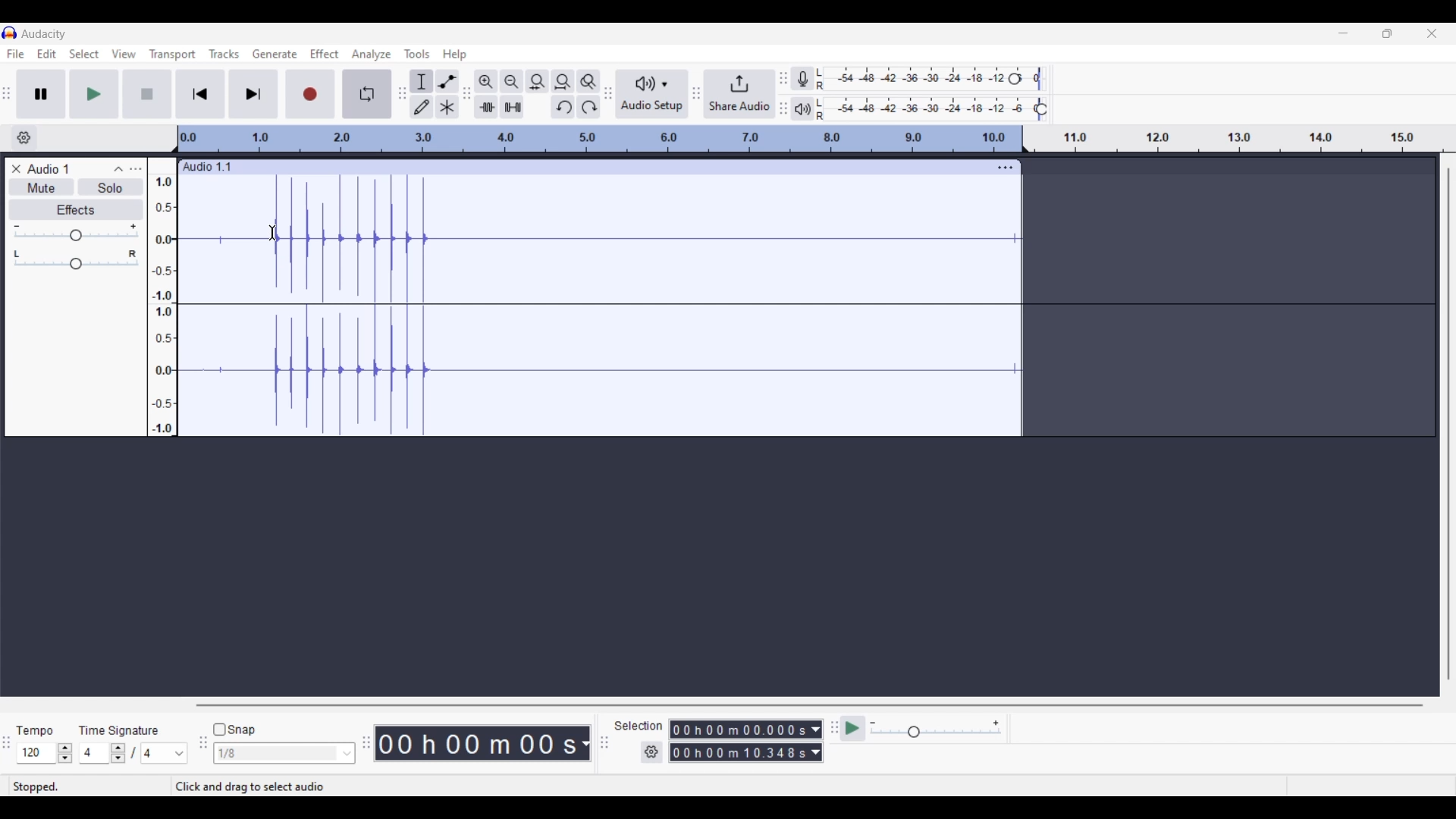 This screenshot has width=1456, height=819. I want to click on Redo, so click(588, 107).